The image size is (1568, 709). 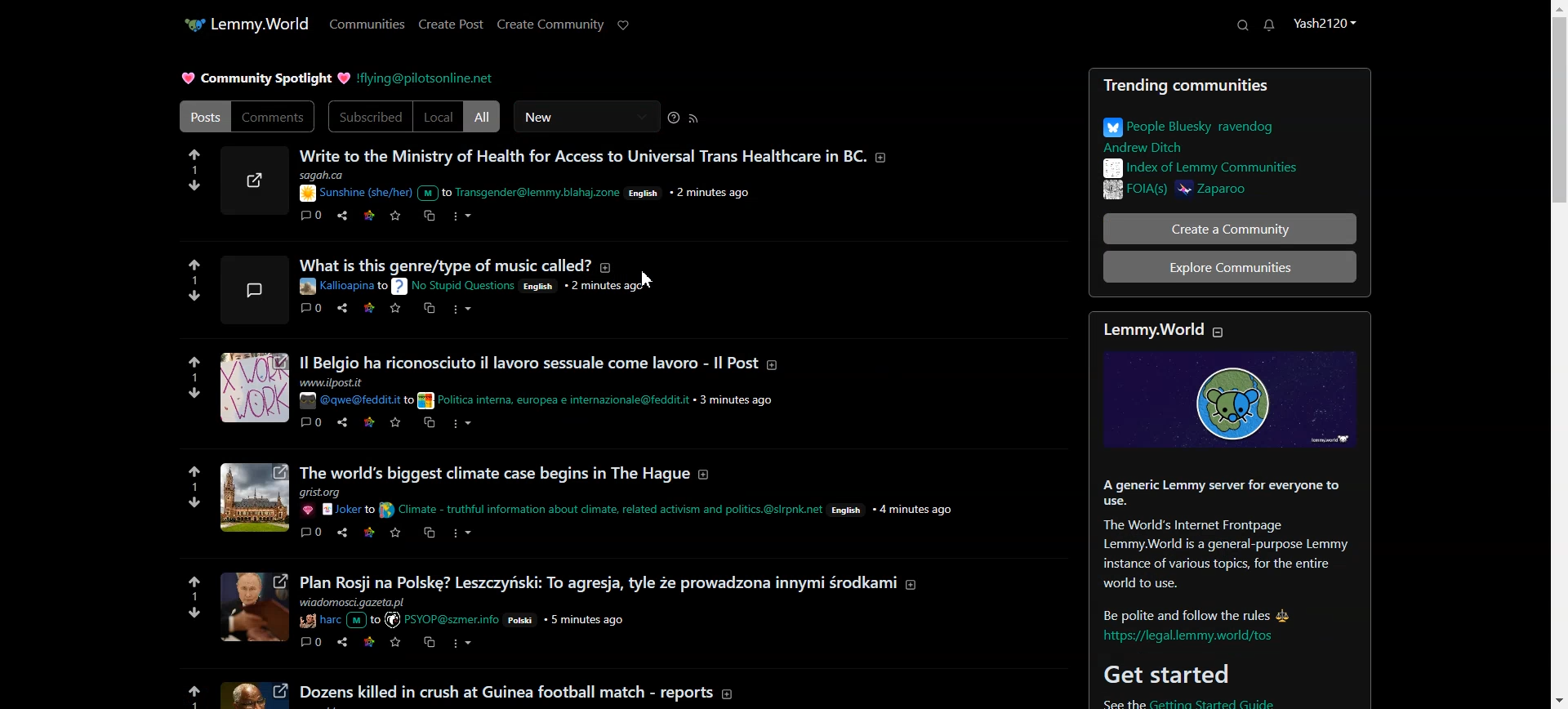 What do you see at coordinates (462, 542) in the screenshot?
I see `more` at bounding box center [462, 542].